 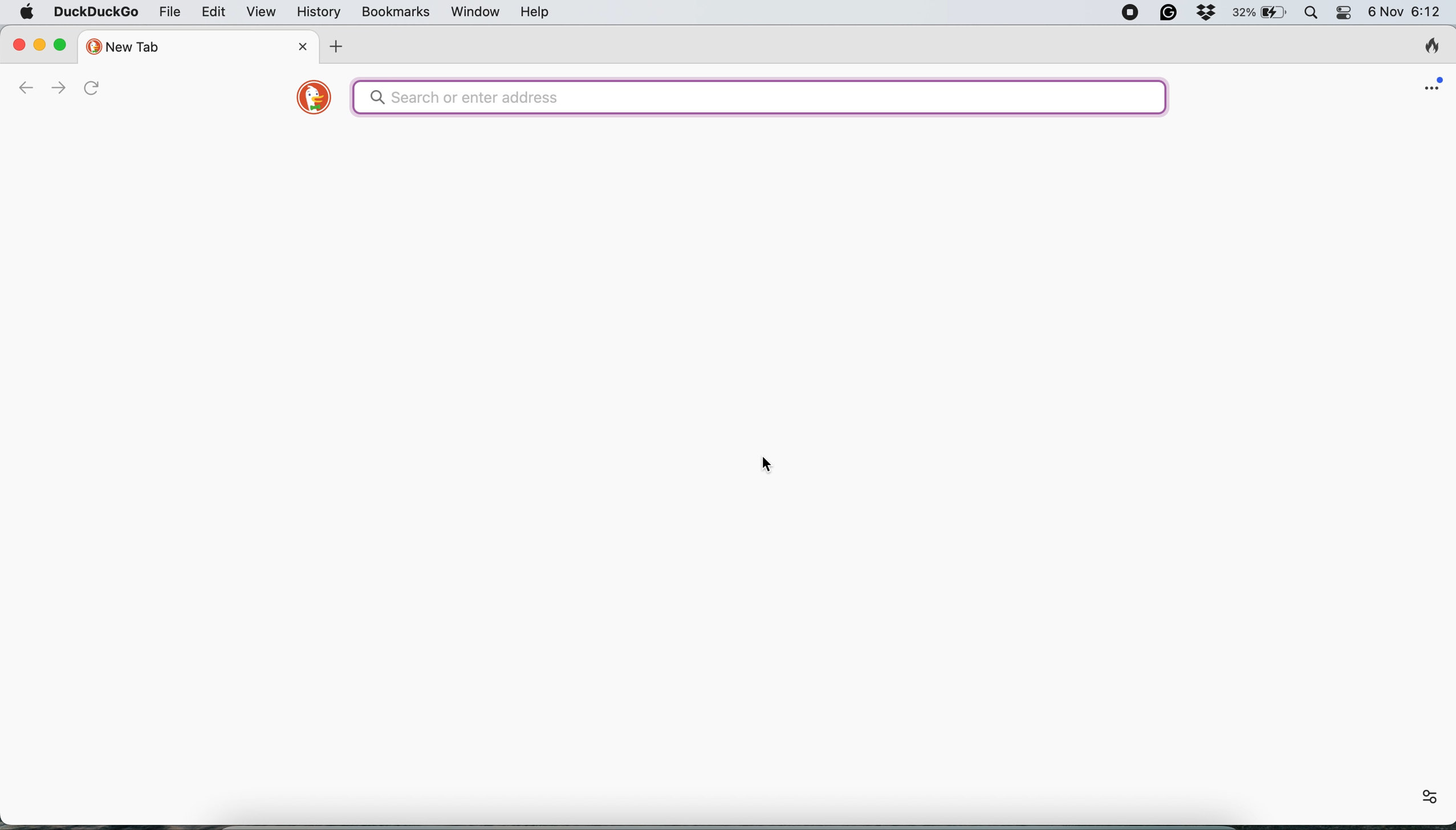 I want to click on dropbox, so click(x=1206, y=13).